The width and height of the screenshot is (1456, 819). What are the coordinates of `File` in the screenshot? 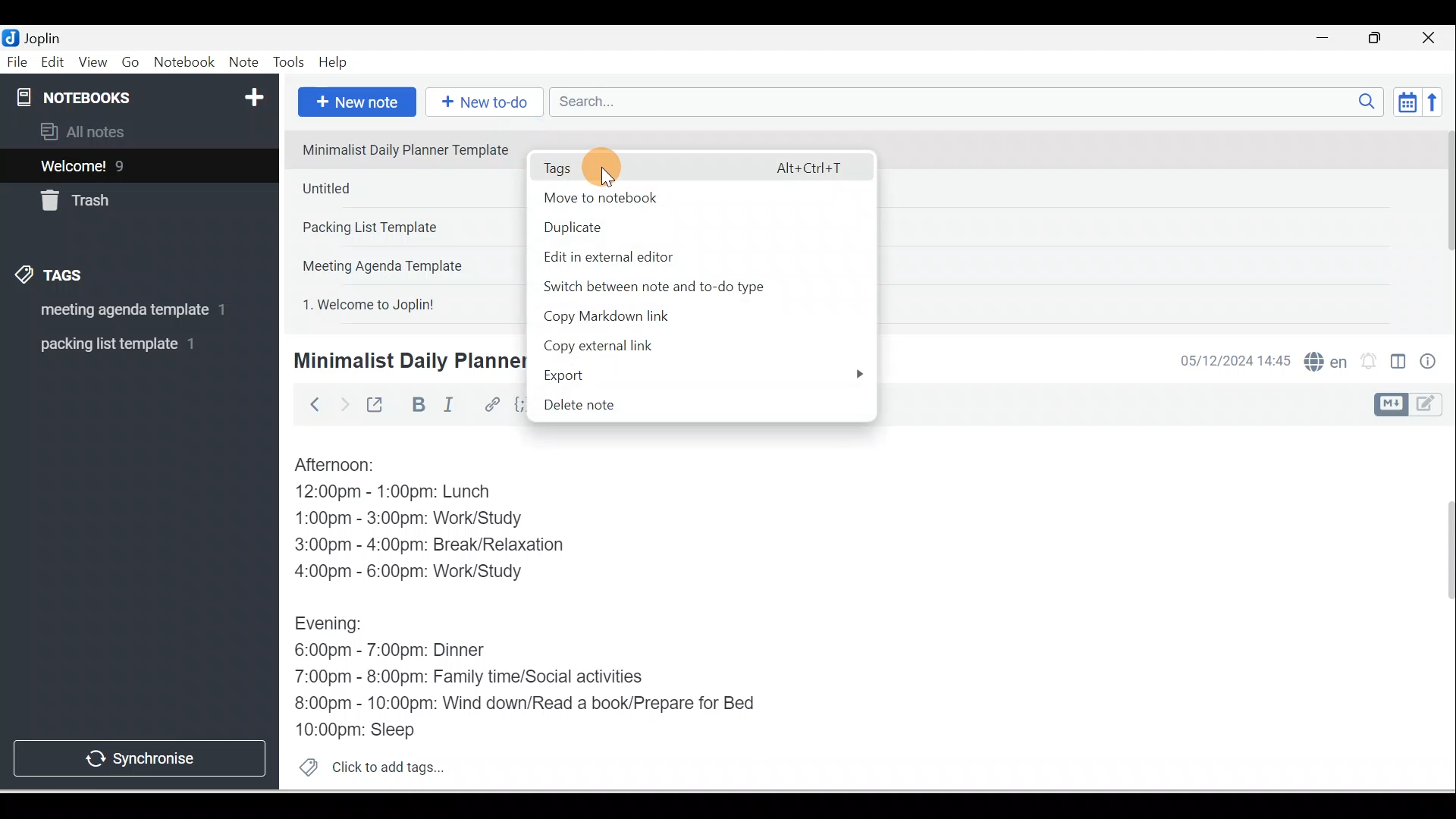 It's located at (18, 61).